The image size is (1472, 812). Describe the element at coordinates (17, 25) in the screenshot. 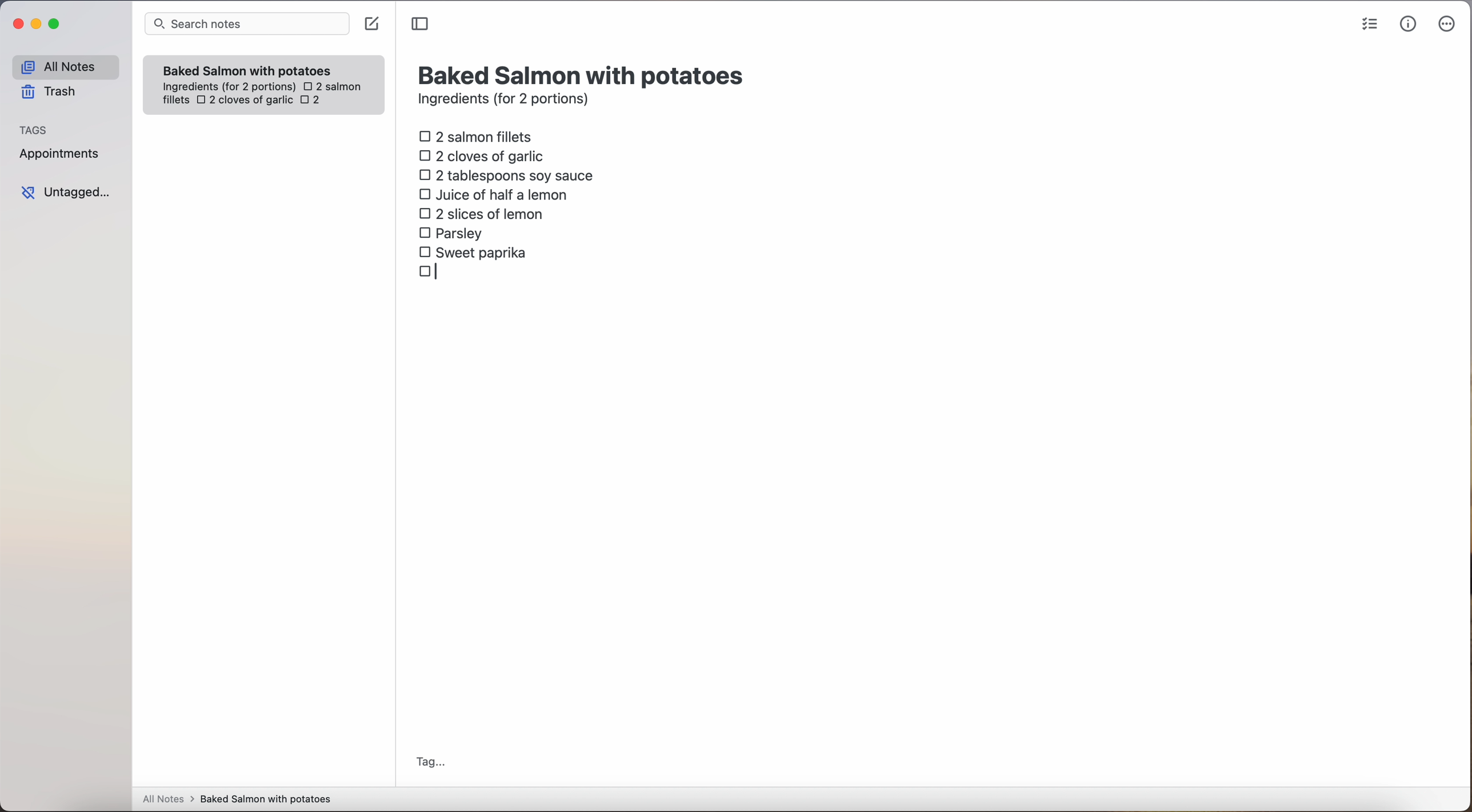

I see `close Simplenote` at that location.